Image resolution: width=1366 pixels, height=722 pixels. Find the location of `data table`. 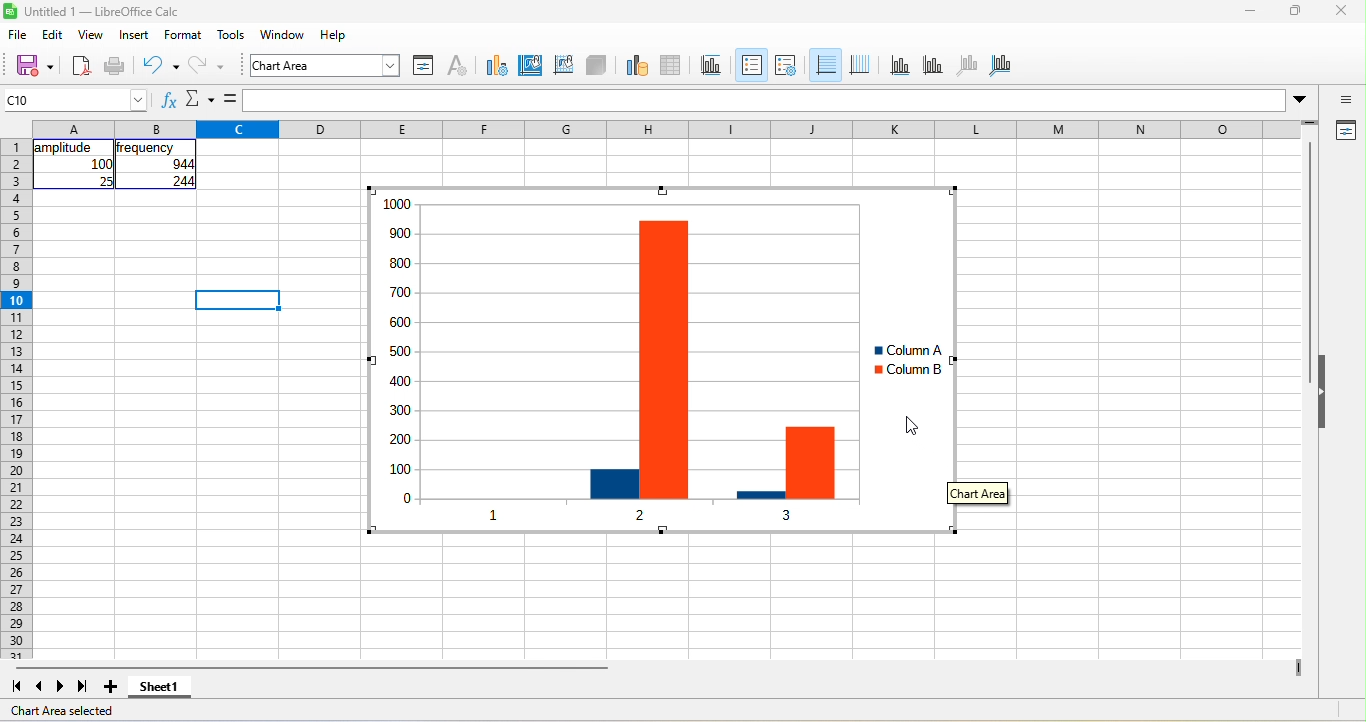

data table is located at coordinates (672, 66).